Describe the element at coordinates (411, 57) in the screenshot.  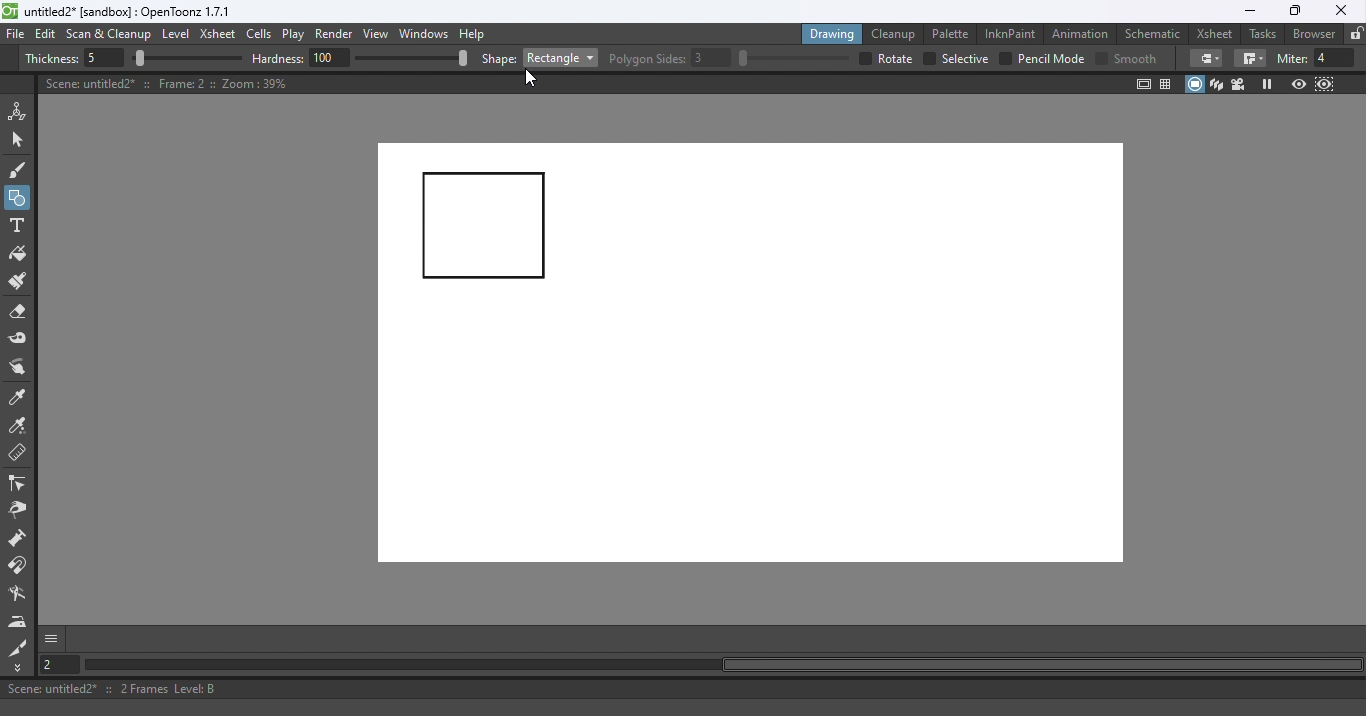
I see `slider` at that location.